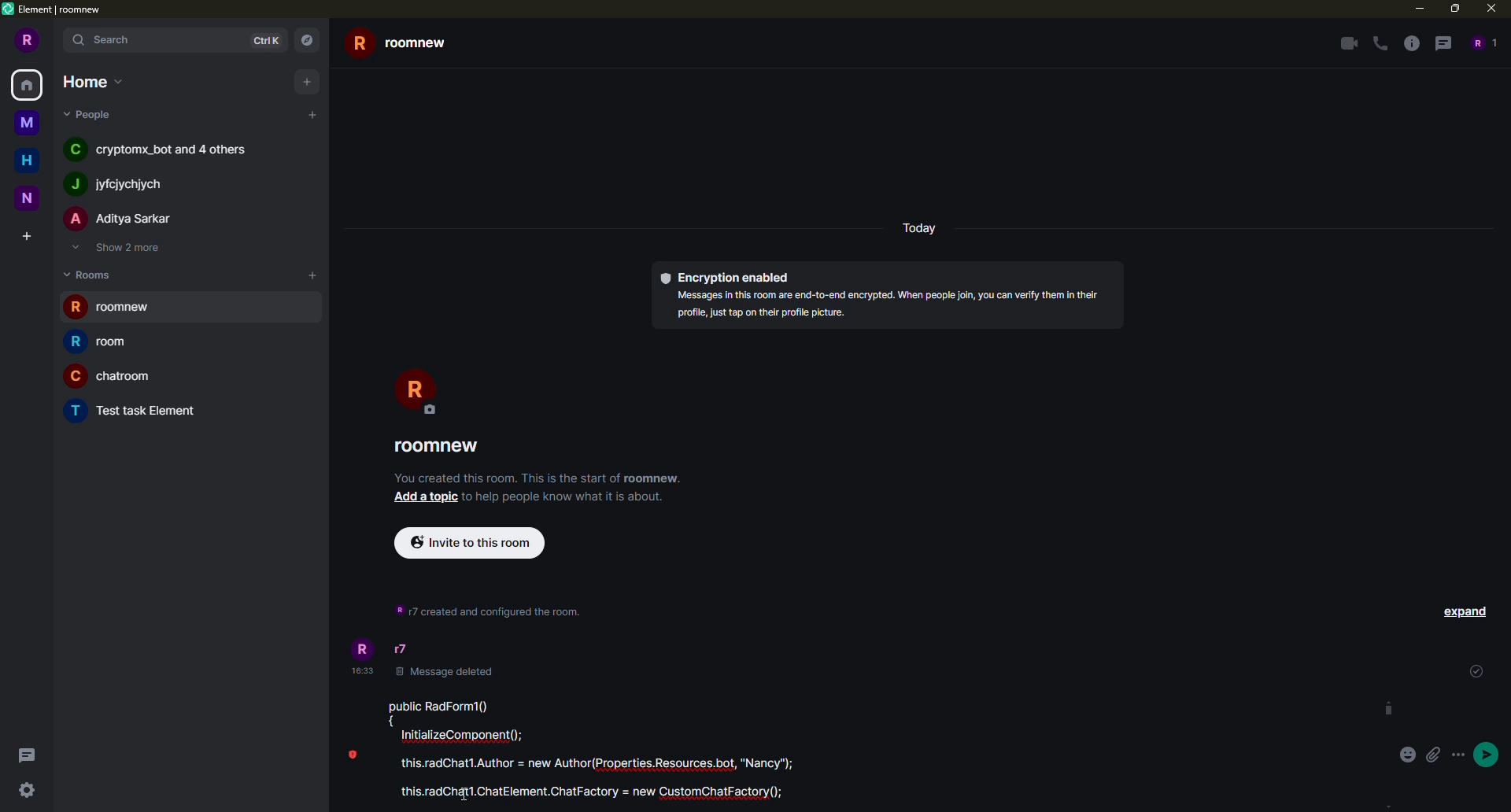 Image resolution: width=1511 pixels, height=812 pixels. I want to click on r7, so click(400, 646).